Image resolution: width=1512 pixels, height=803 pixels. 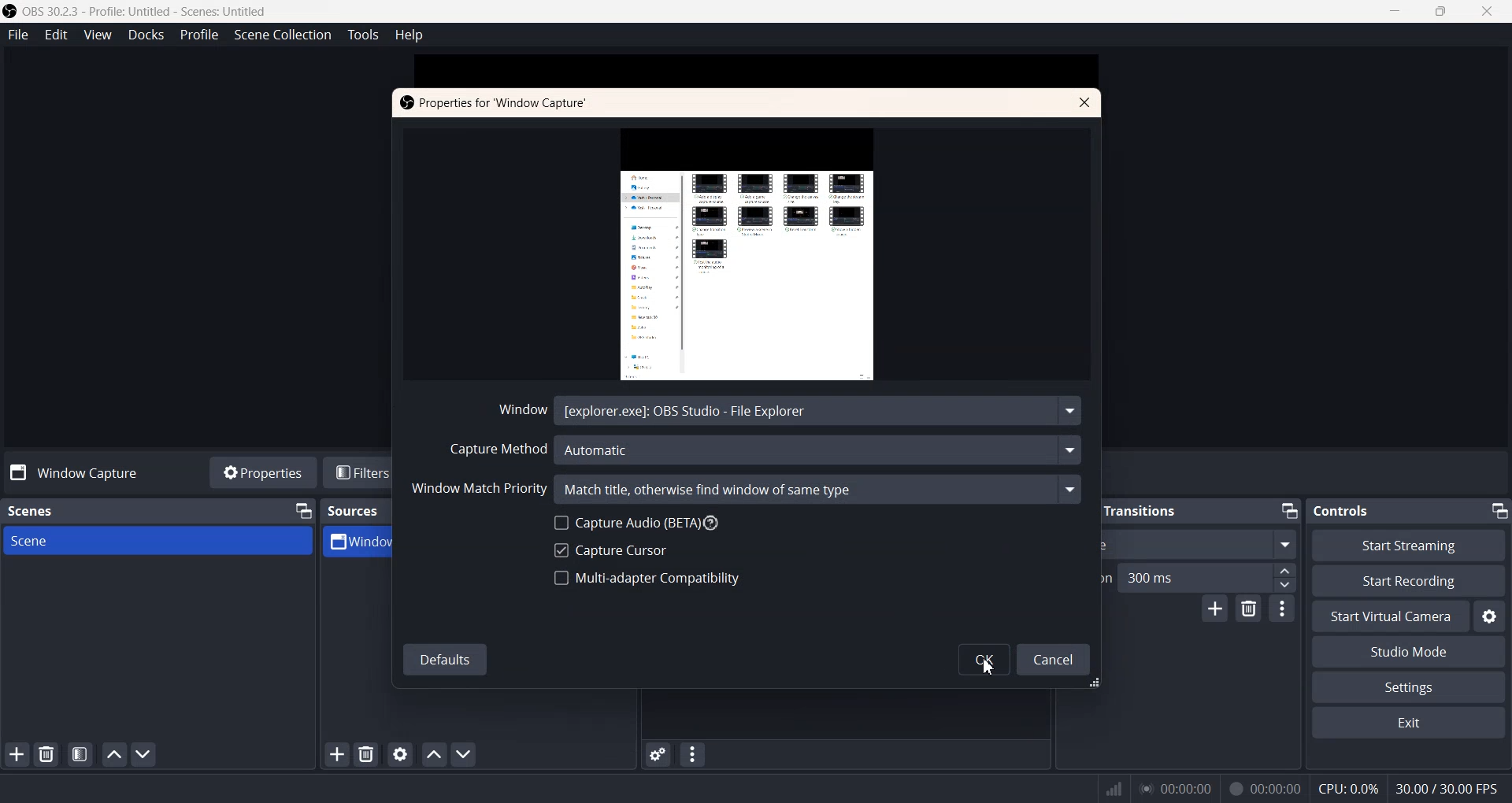 What do you see at coordinates (495, 102) in the screenshot?
I see `Properties for Window Capture` at bounding box center [495, 102].